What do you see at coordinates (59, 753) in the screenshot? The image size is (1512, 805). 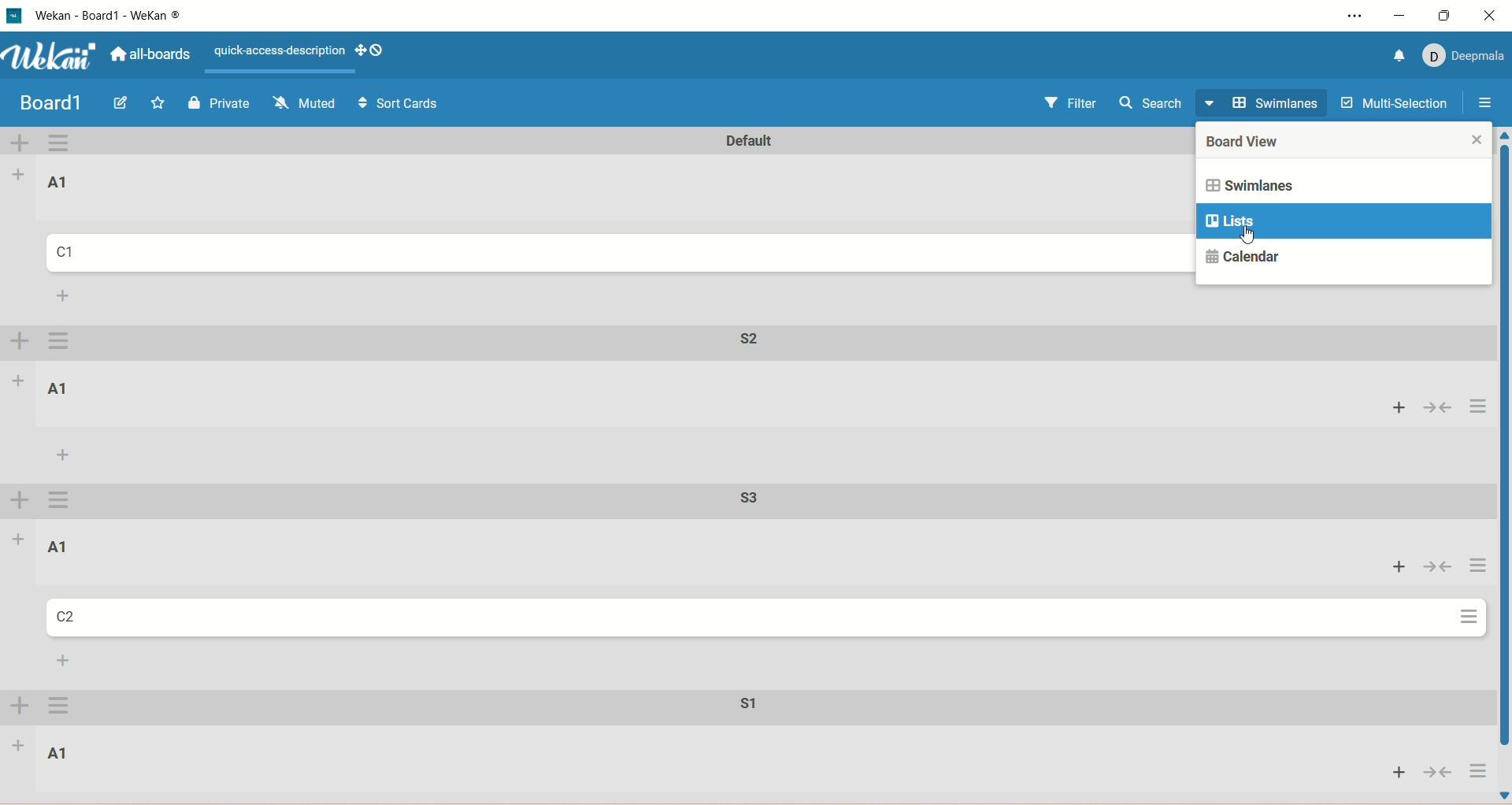 I see `card` at bounding box center [59, 753].